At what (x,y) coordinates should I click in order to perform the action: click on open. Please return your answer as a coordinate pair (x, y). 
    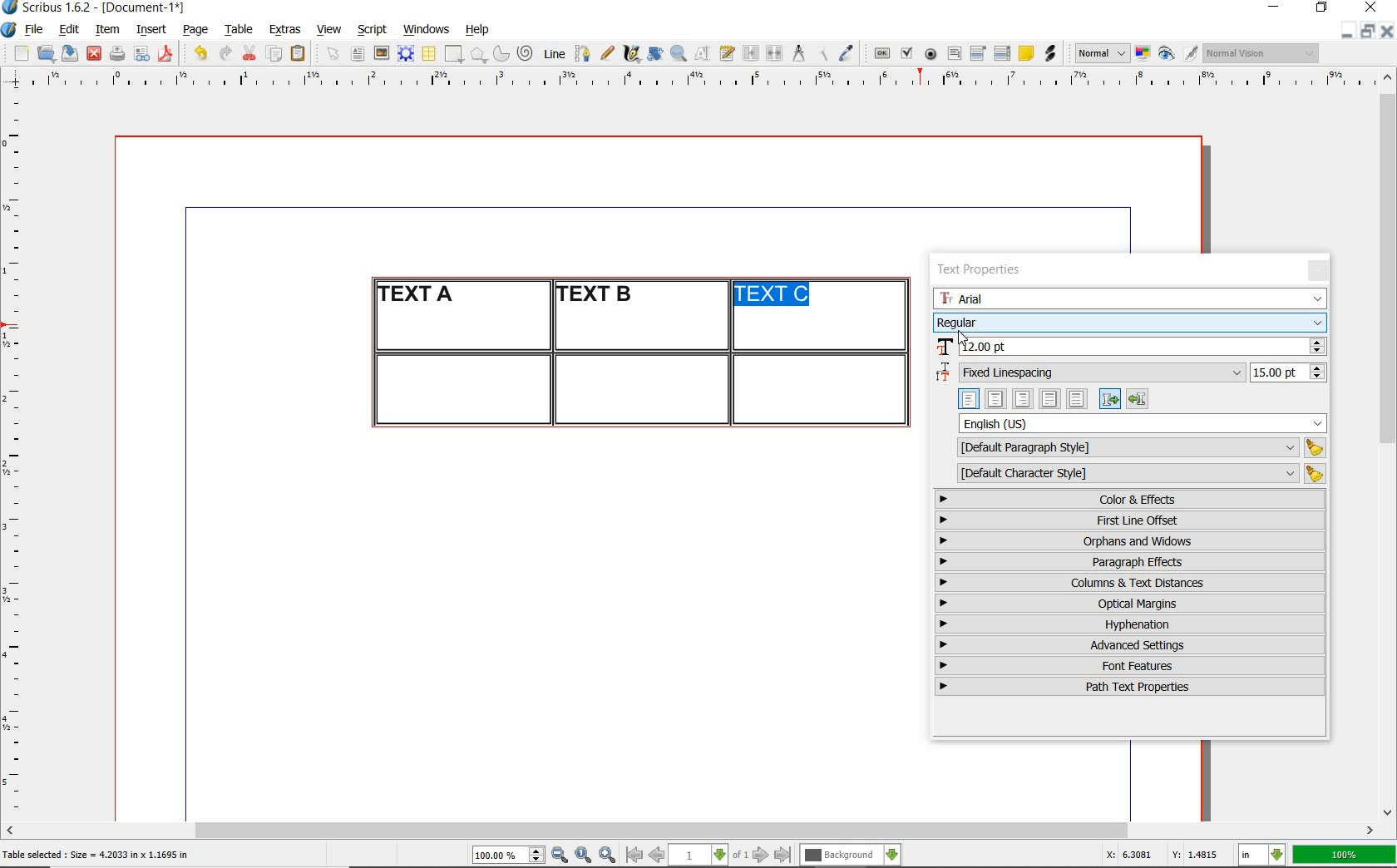
    Looking at the image, I should click on (45, 52).